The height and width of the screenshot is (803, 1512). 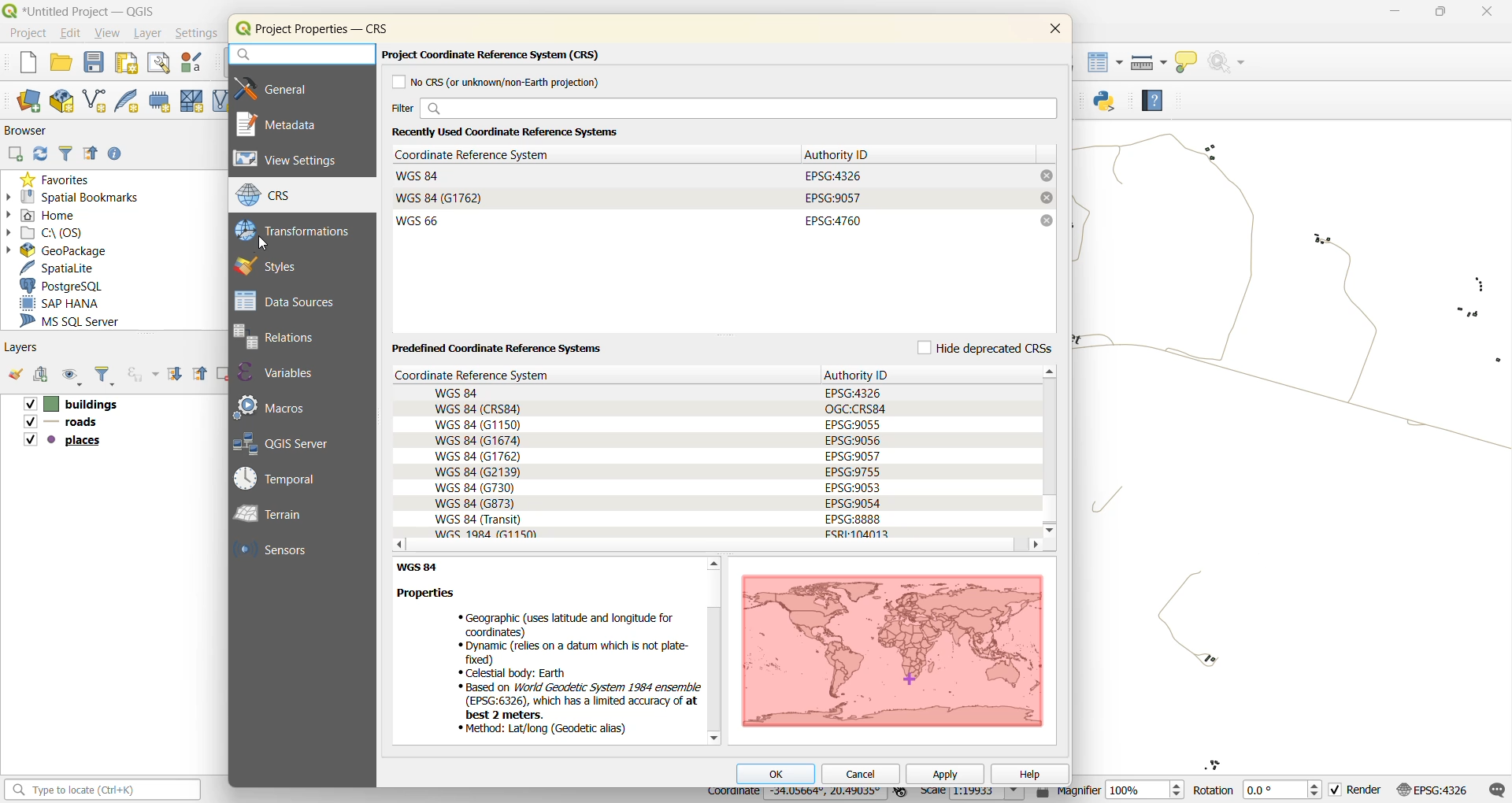 I want to click on crs, so click(x=1436, y=790).